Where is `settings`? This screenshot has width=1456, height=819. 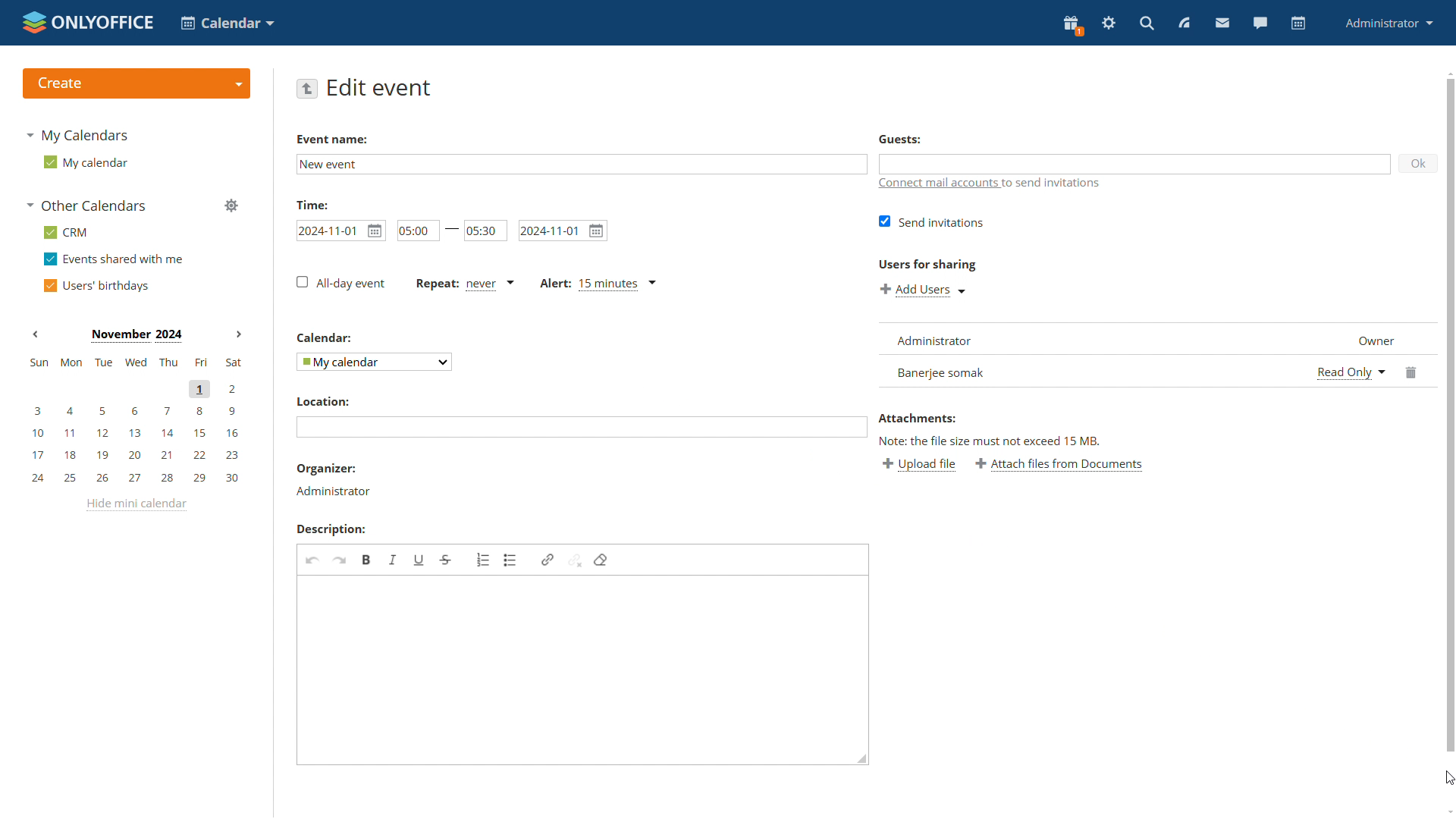
settings is located at coordinates (1107, 24).